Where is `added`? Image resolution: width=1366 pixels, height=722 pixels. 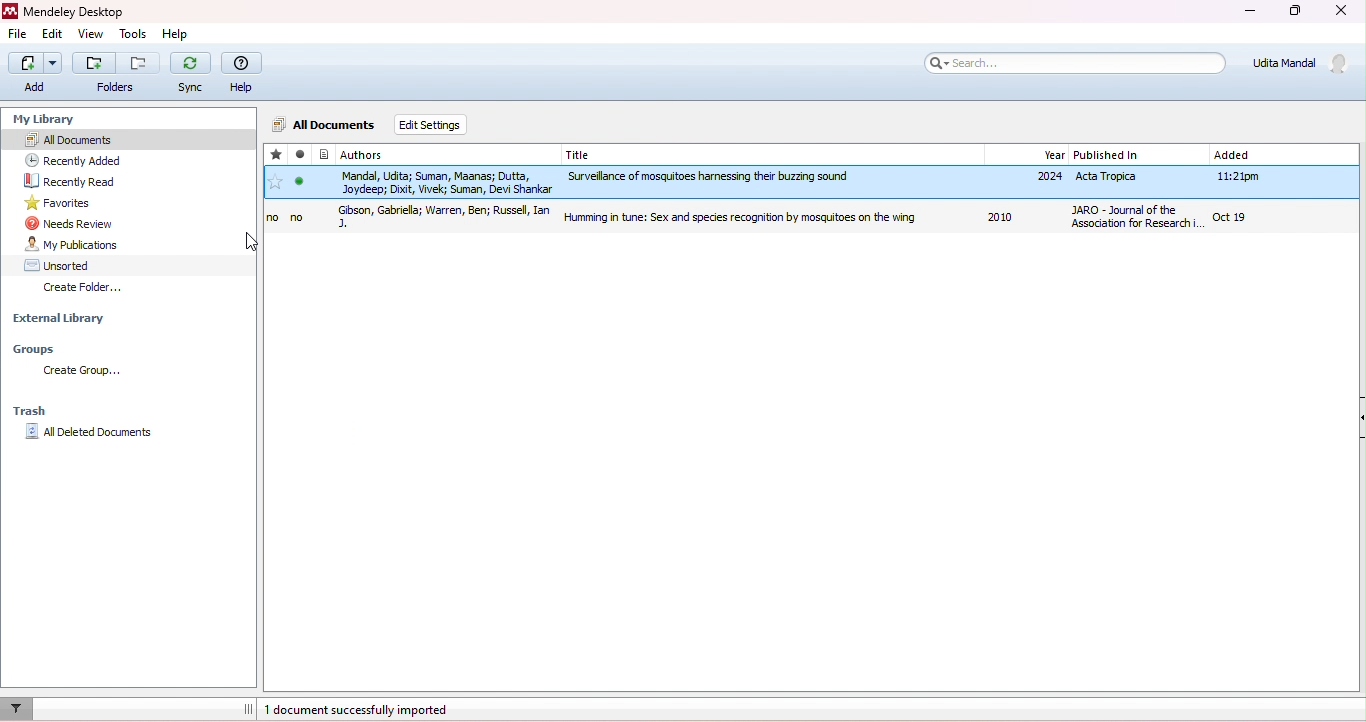
added is located at coordinates (1231, 156).